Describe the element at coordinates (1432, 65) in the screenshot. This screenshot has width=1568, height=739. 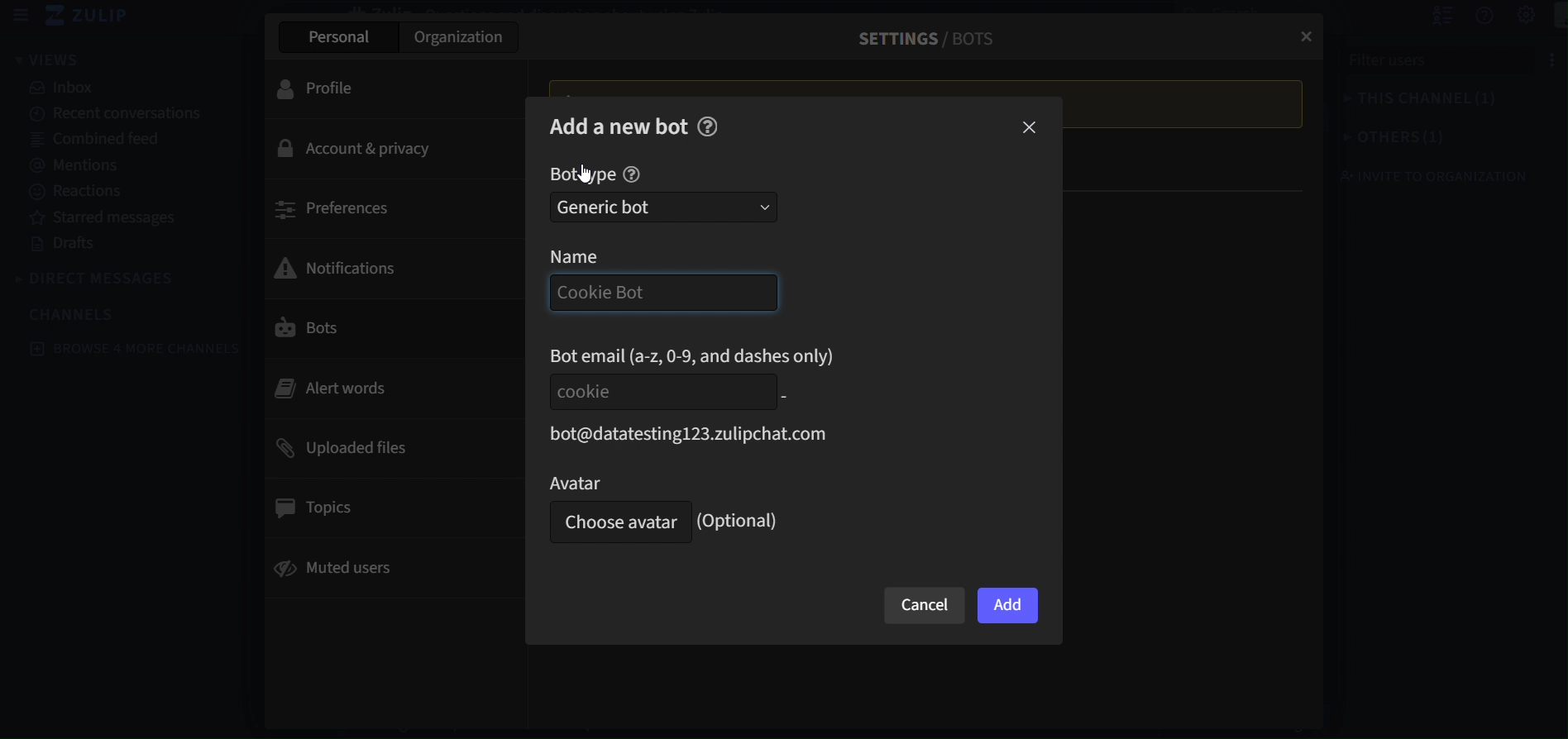
I see `filter users` at that location.